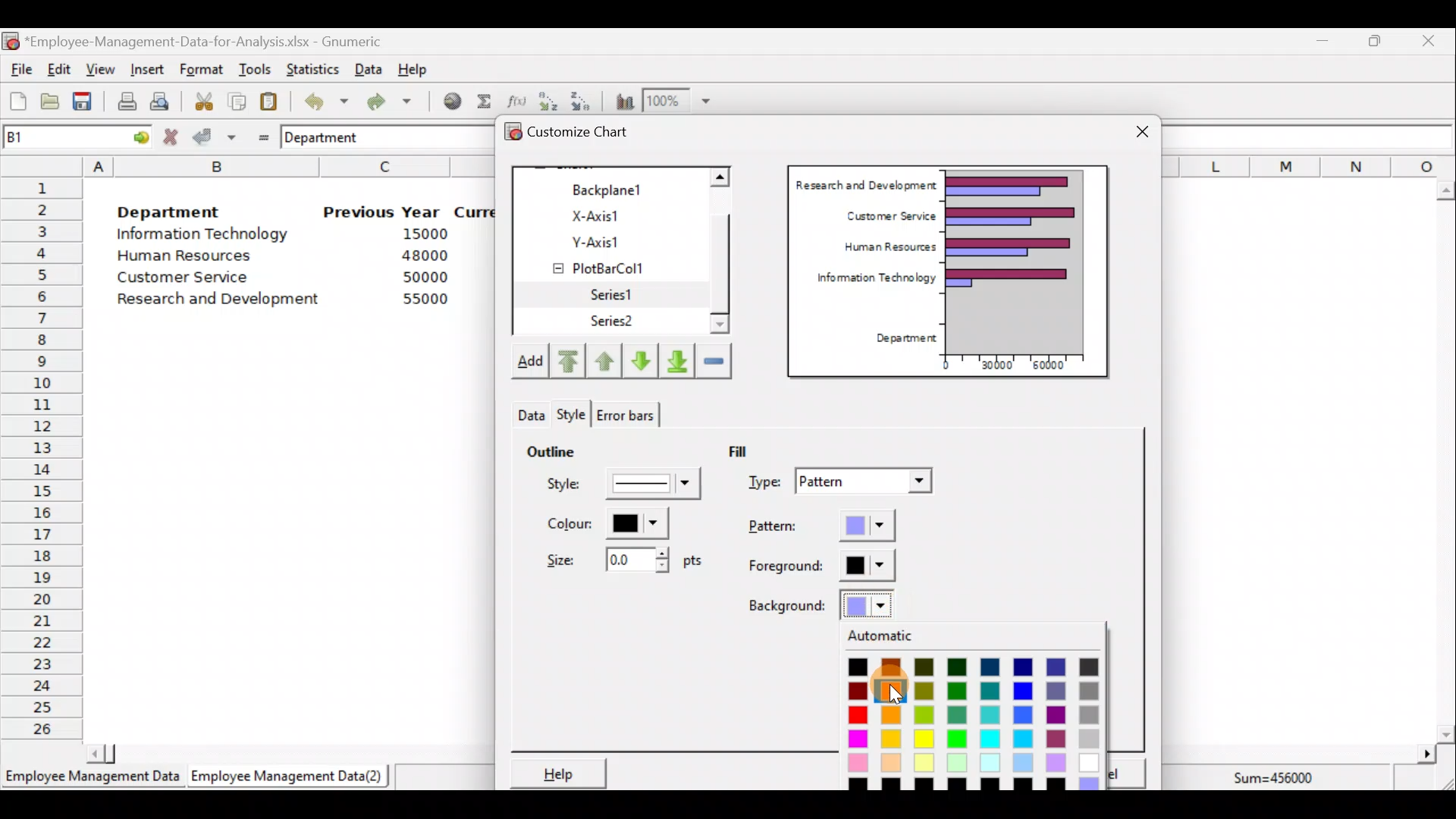 This screenshot has height=819, width=1456. Describe the element at coordinates (613, 215) in the screenshot. I see `X-axis1` at that location.